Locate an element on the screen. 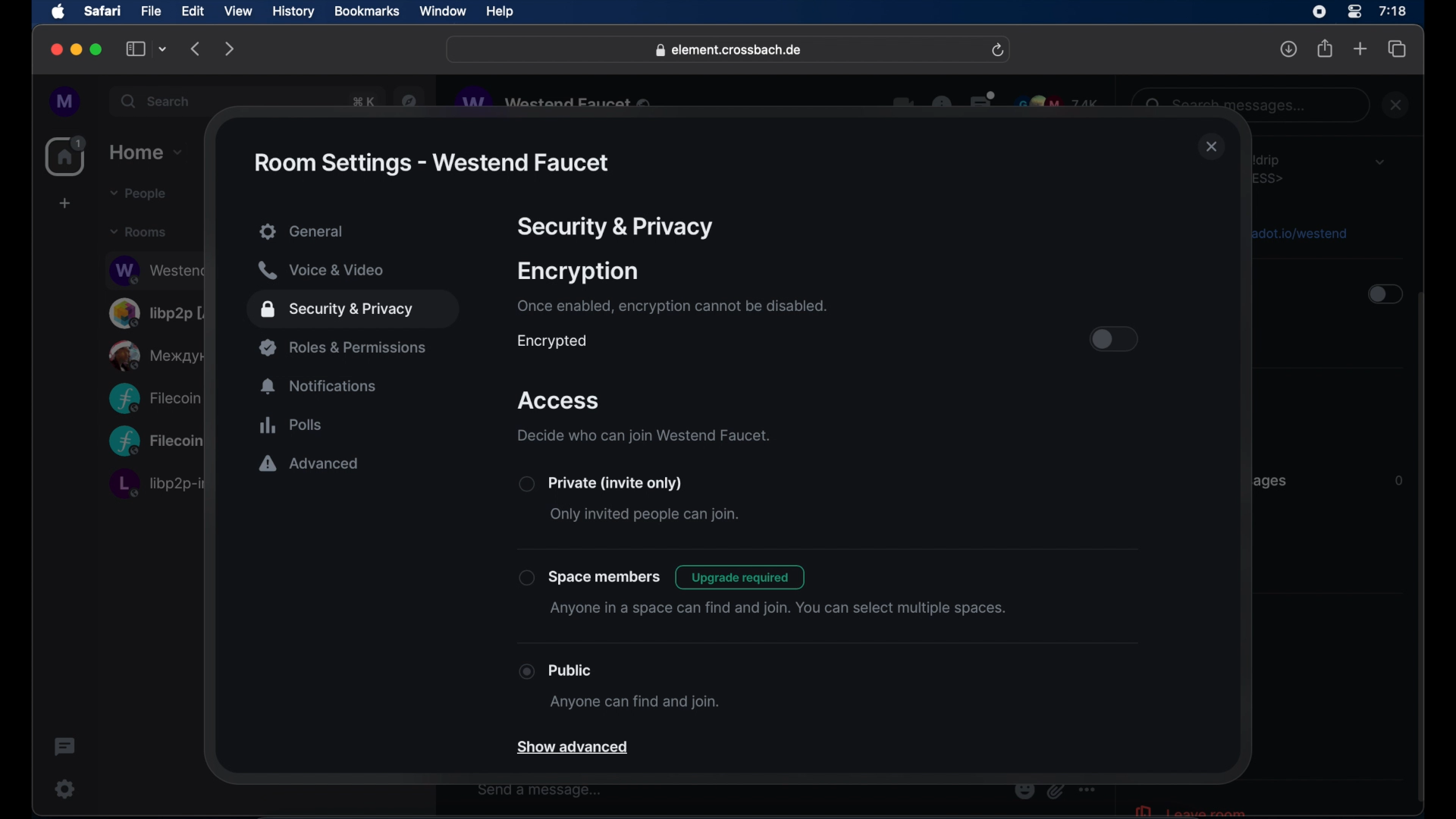 Image resolution: width=1456 pixels, height=819 pixels. voice and video is located at coordinates (321, 271).